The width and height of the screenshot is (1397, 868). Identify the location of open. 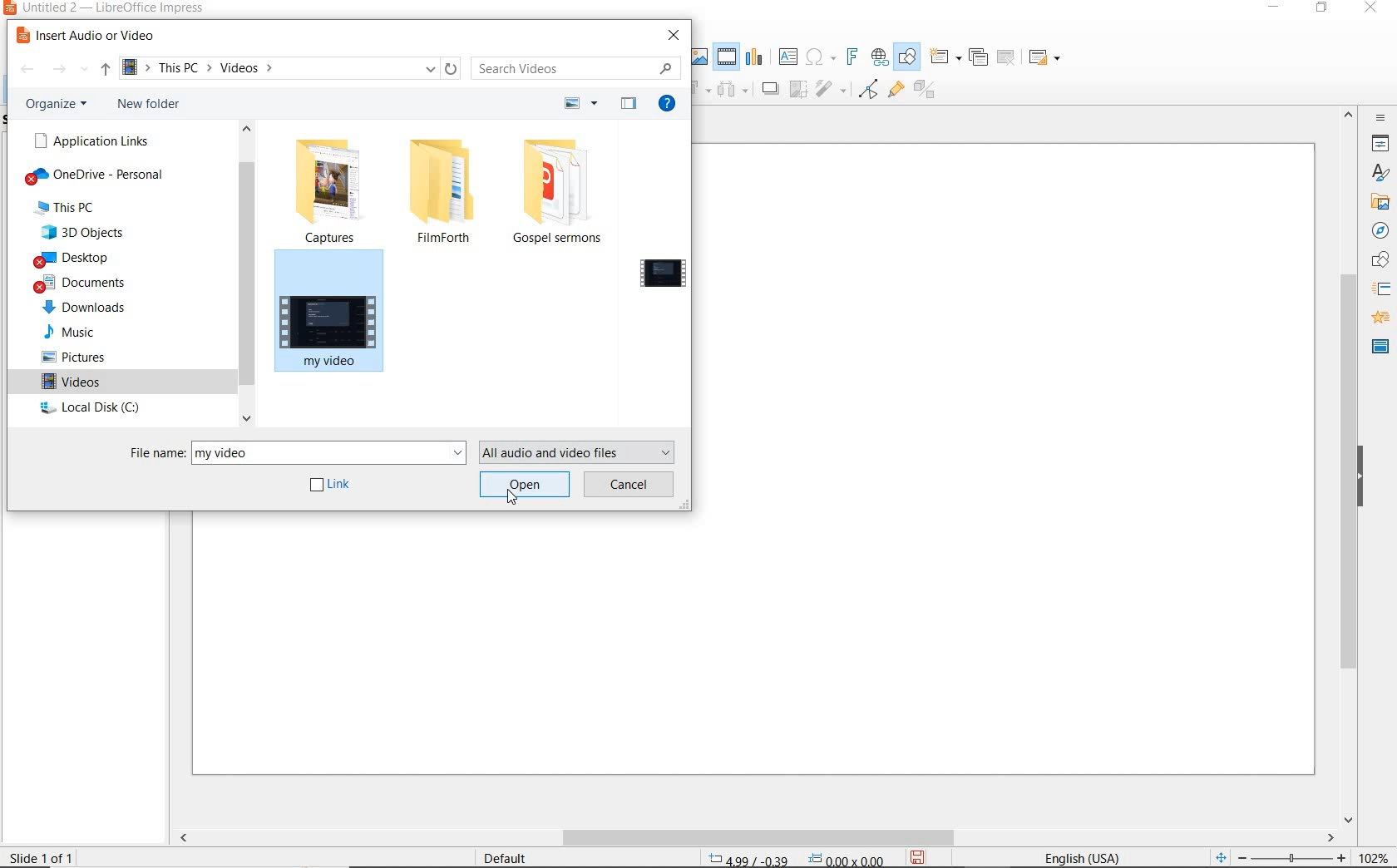
(526, 485).